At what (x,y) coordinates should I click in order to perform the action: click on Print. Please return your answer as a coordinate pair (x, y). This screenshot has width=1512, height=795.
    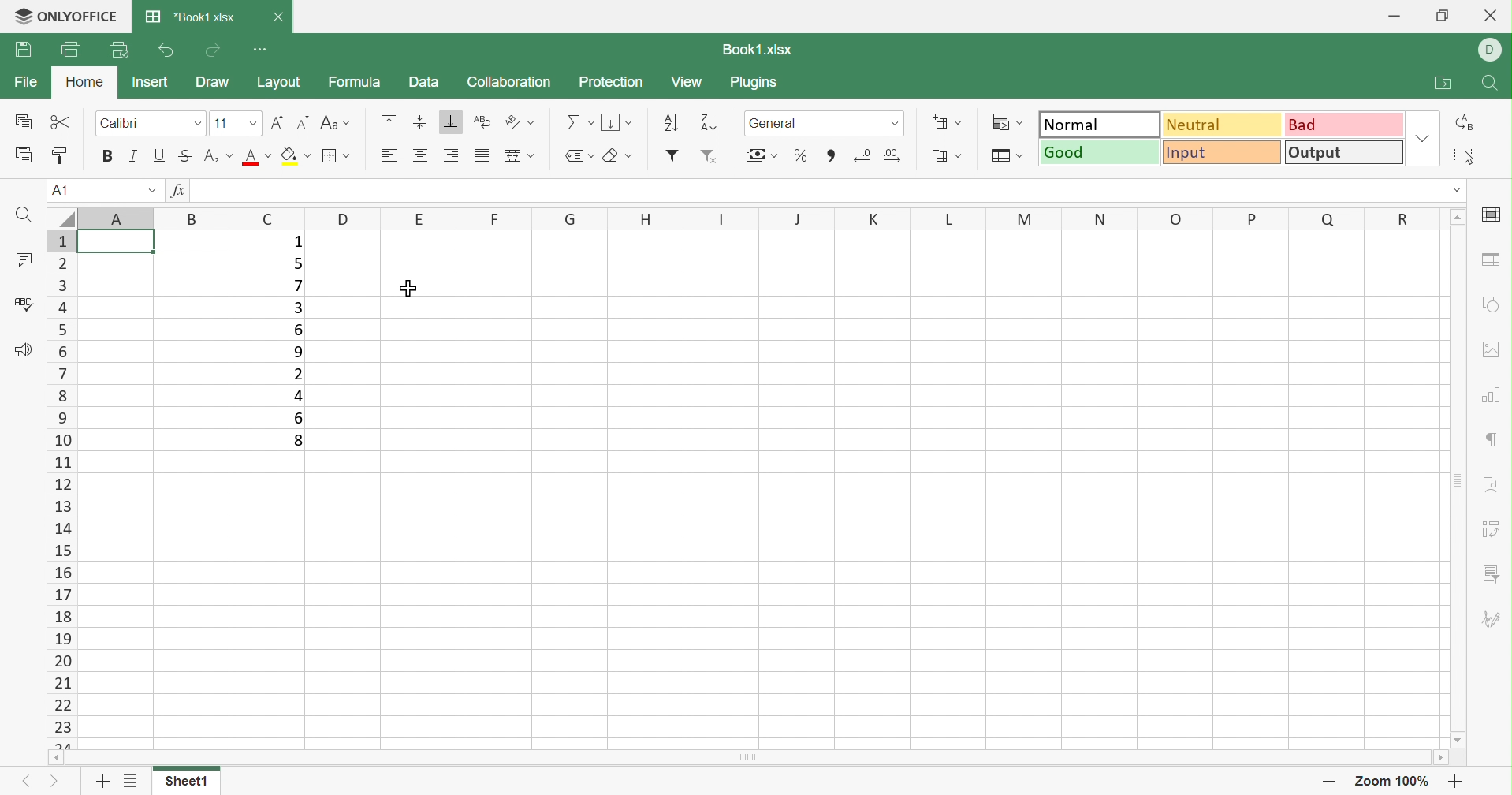
    Looking at the image, I should click on (69, 49).